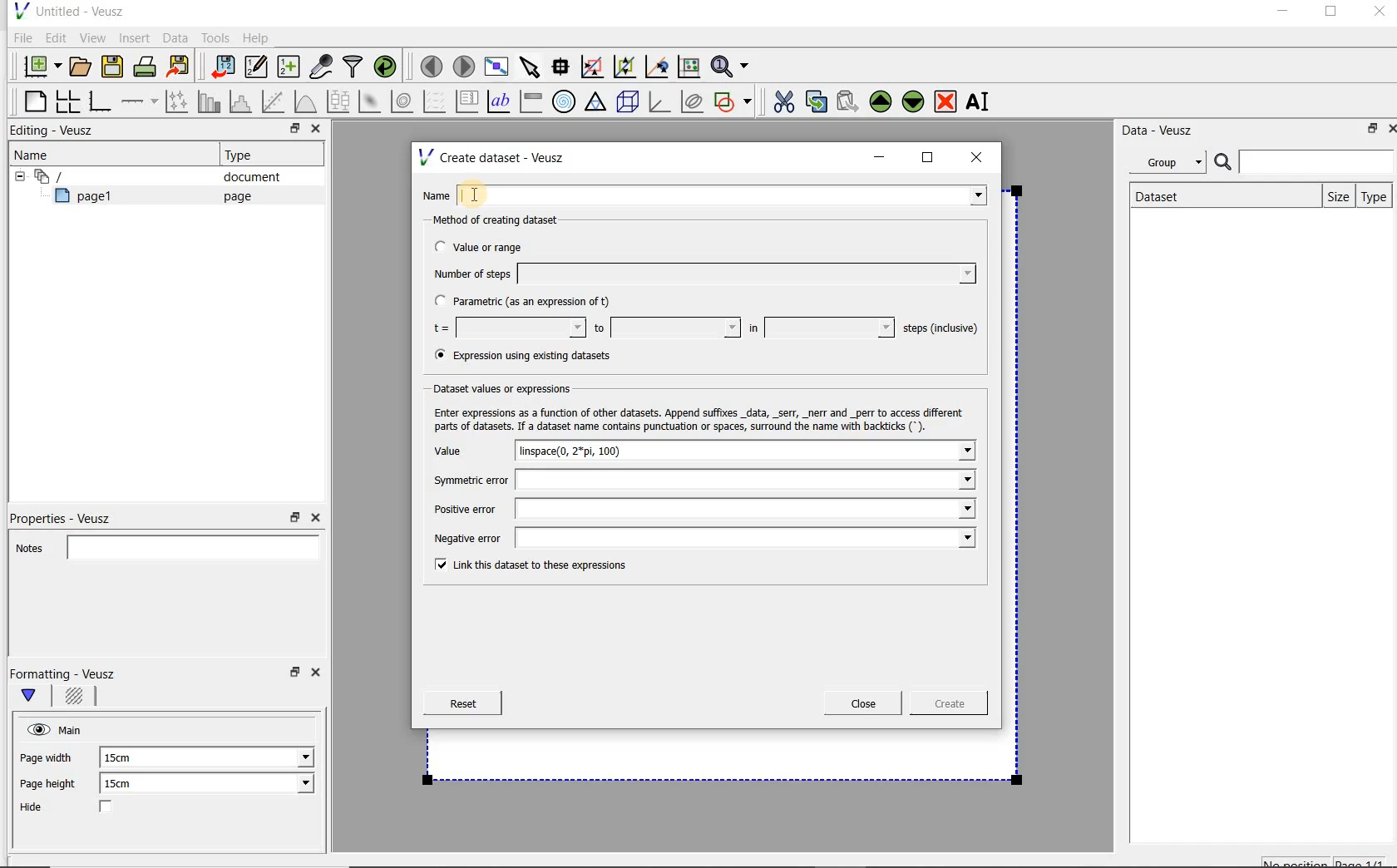 The image size is (1397, 868). I want to click on restore down, so click(1368, 131).